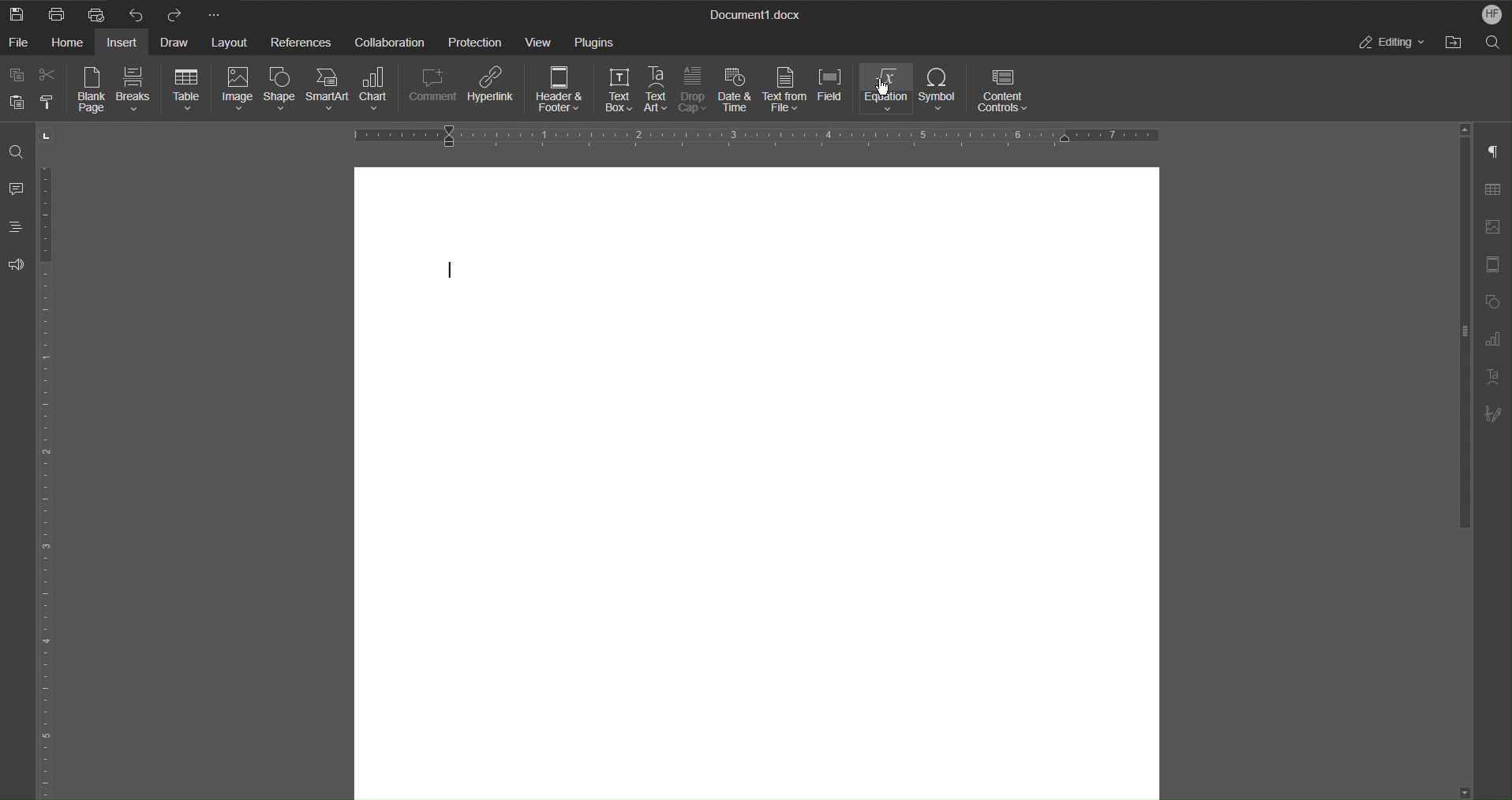 This screenshot has width=1512, height=800. Describe the element at coordinates (1490, 13) in the screenshot. I see `Account` at that location.